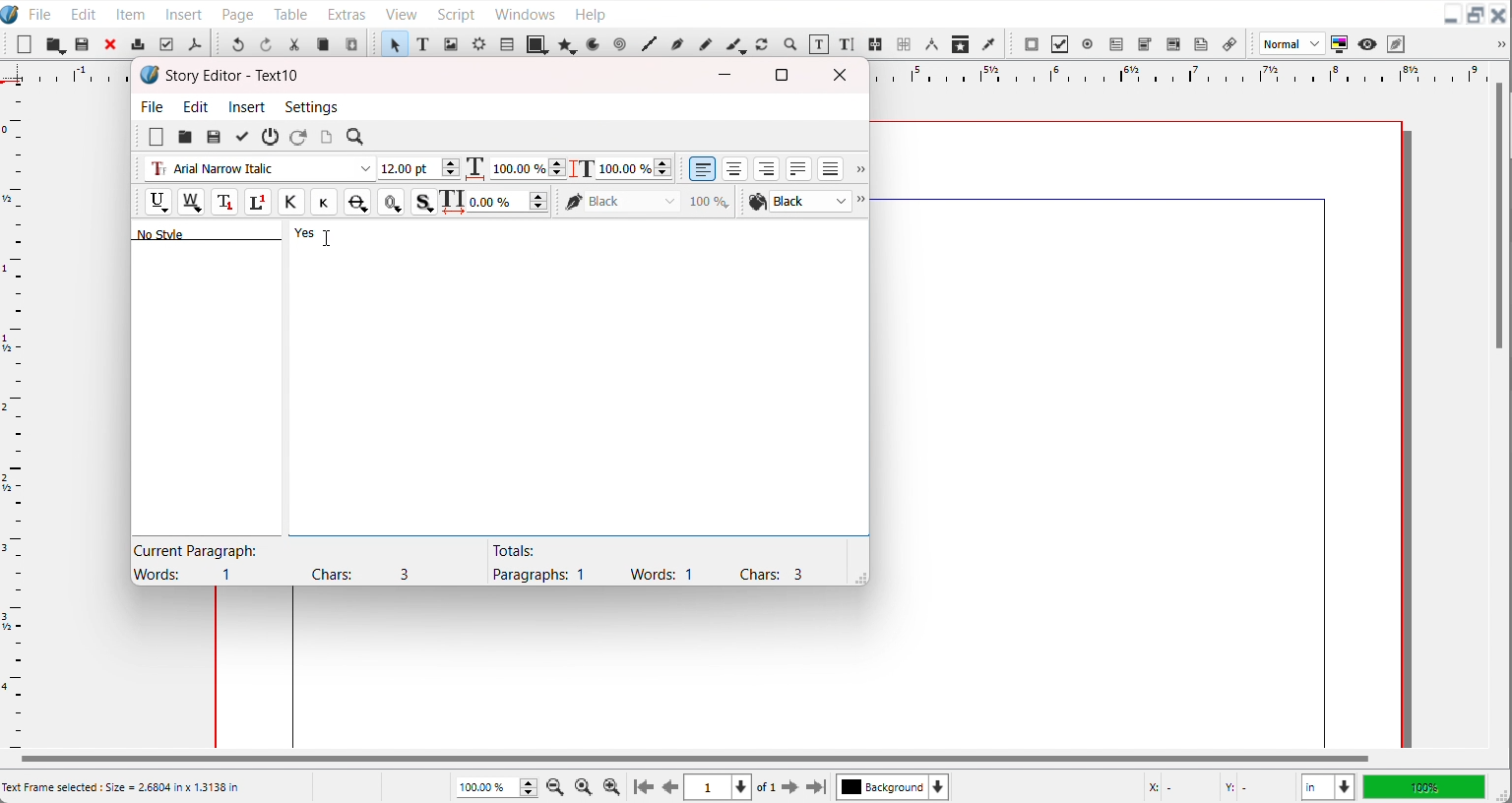 Image resolution: width=1512 pixels, height=803 pixels. Describe the element at coordinates (1174, 44) in the screenshot. I see `PDF List box` at that location.